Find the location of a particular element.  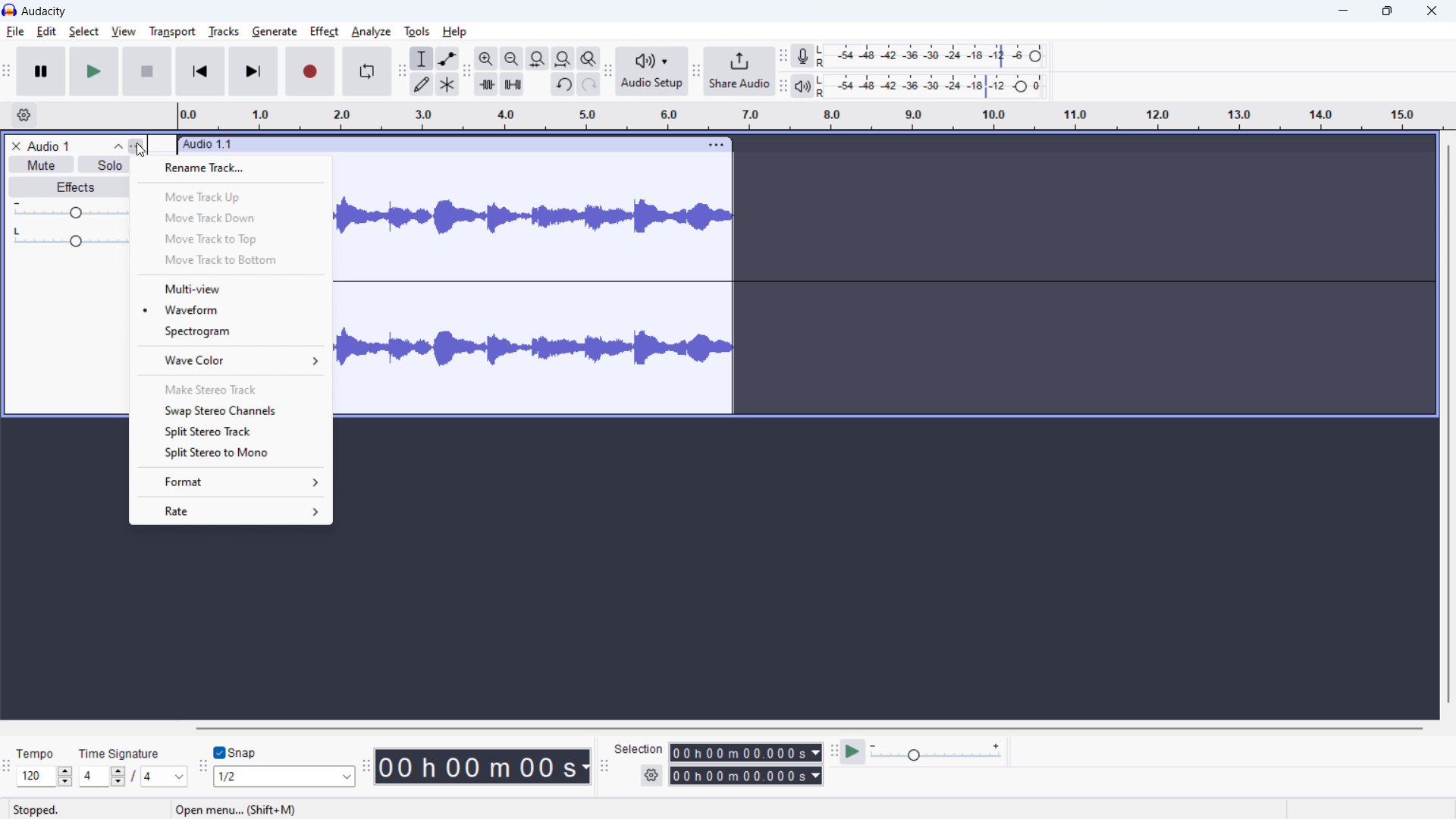

solo is located at coordinates (110, 164).